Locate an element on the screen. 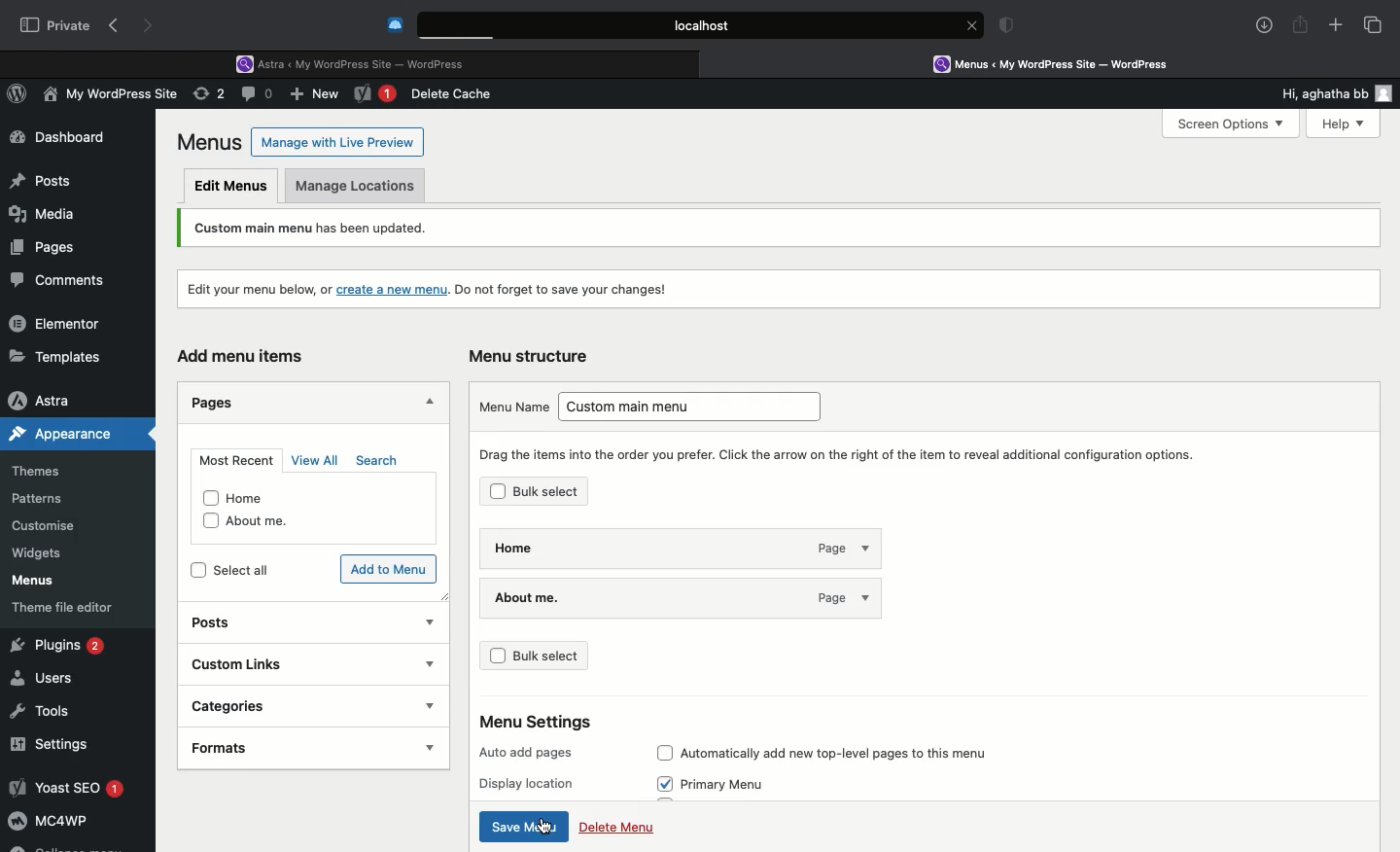  View all is located at coordinates (311, 460).